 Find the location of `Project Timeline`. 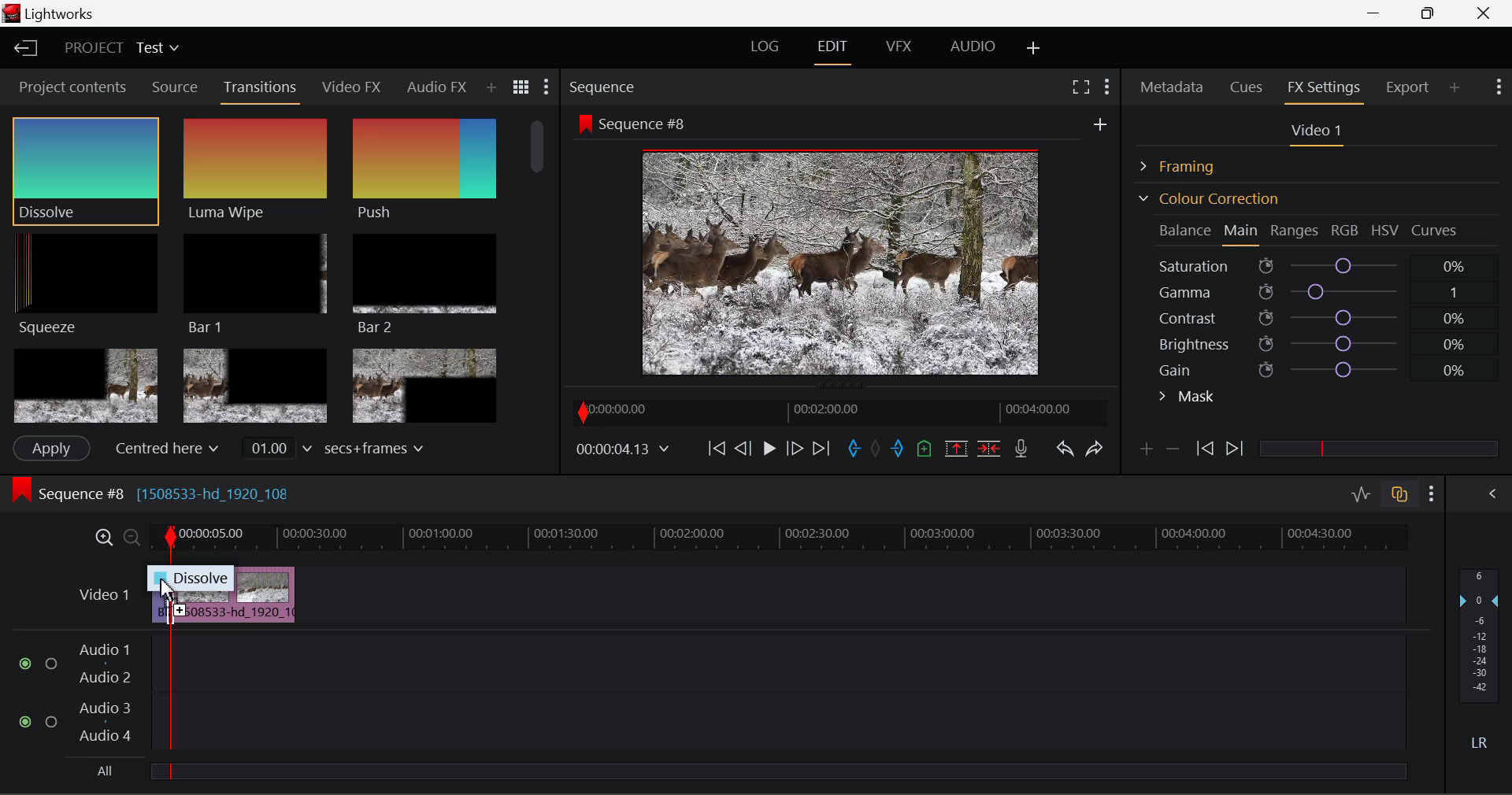

Project Timeline is located at coordinates (780, 538).